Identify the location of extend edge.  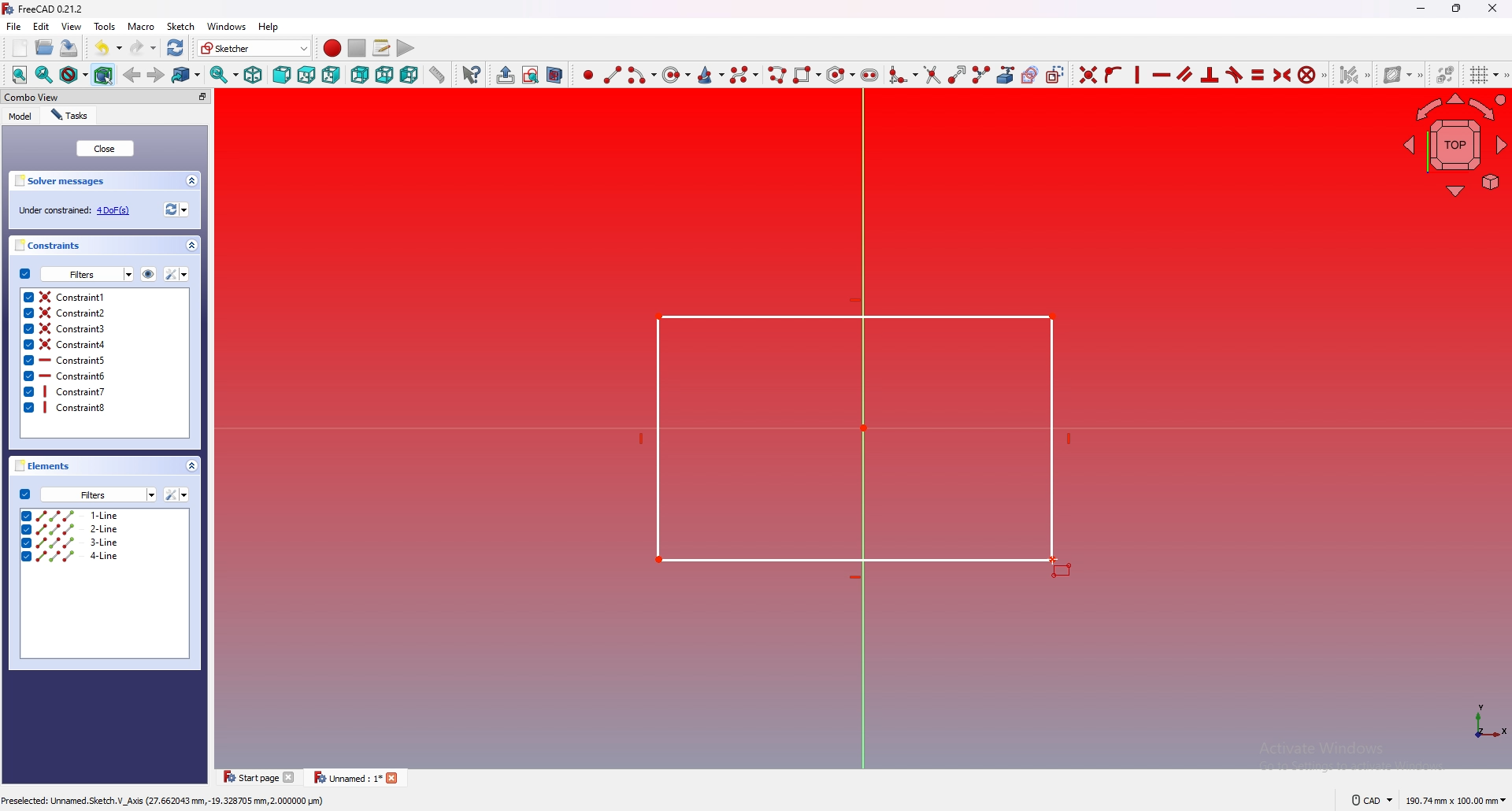
(958, 75).